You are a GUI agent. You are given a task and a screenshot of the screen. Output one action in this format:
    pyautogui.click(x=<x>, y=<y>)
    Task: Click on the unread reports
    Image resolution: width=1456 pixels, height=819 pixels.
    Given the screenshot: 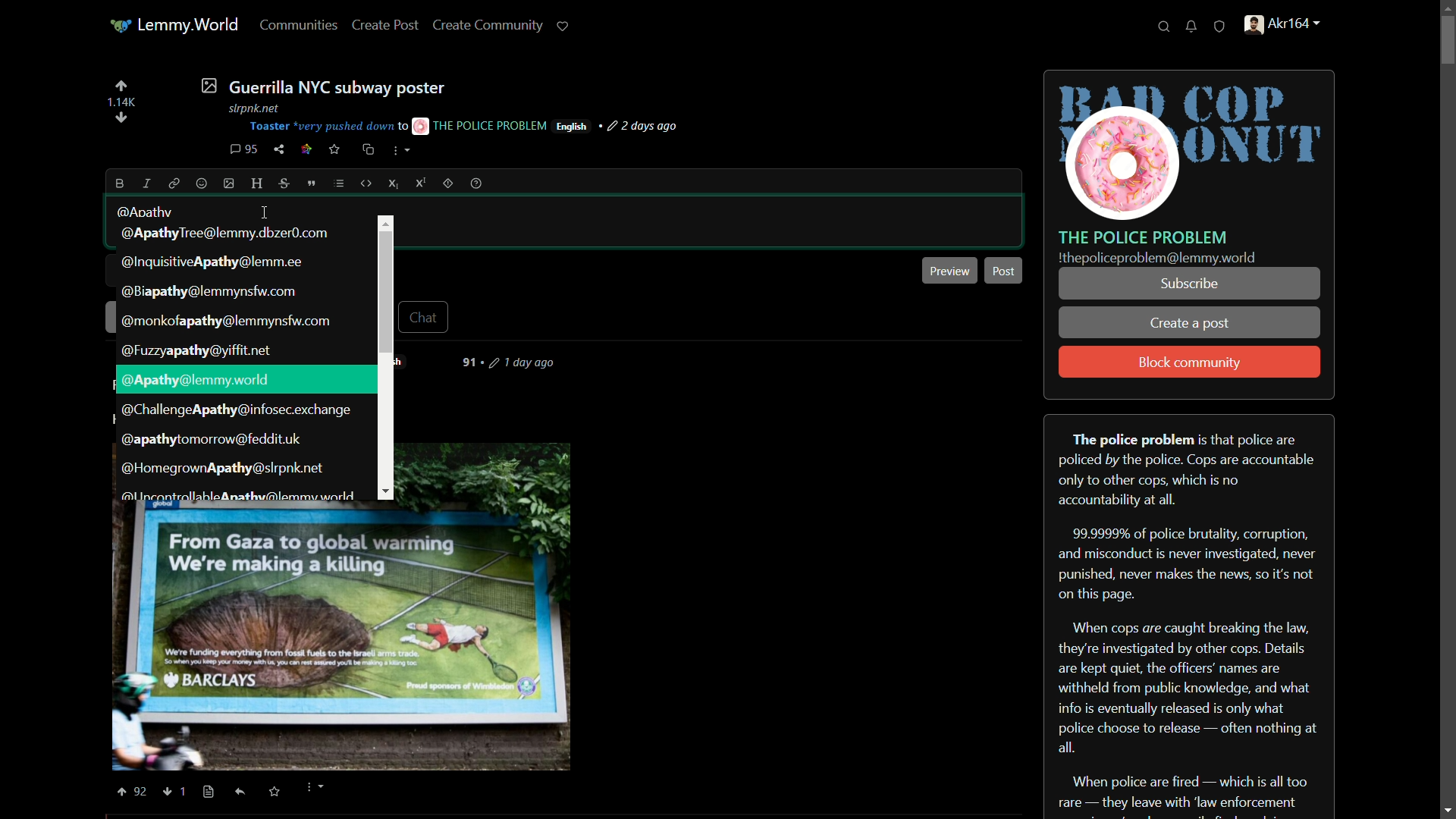 What is the action you would take?
    pyautogui.click(x=1220, y=27)
    